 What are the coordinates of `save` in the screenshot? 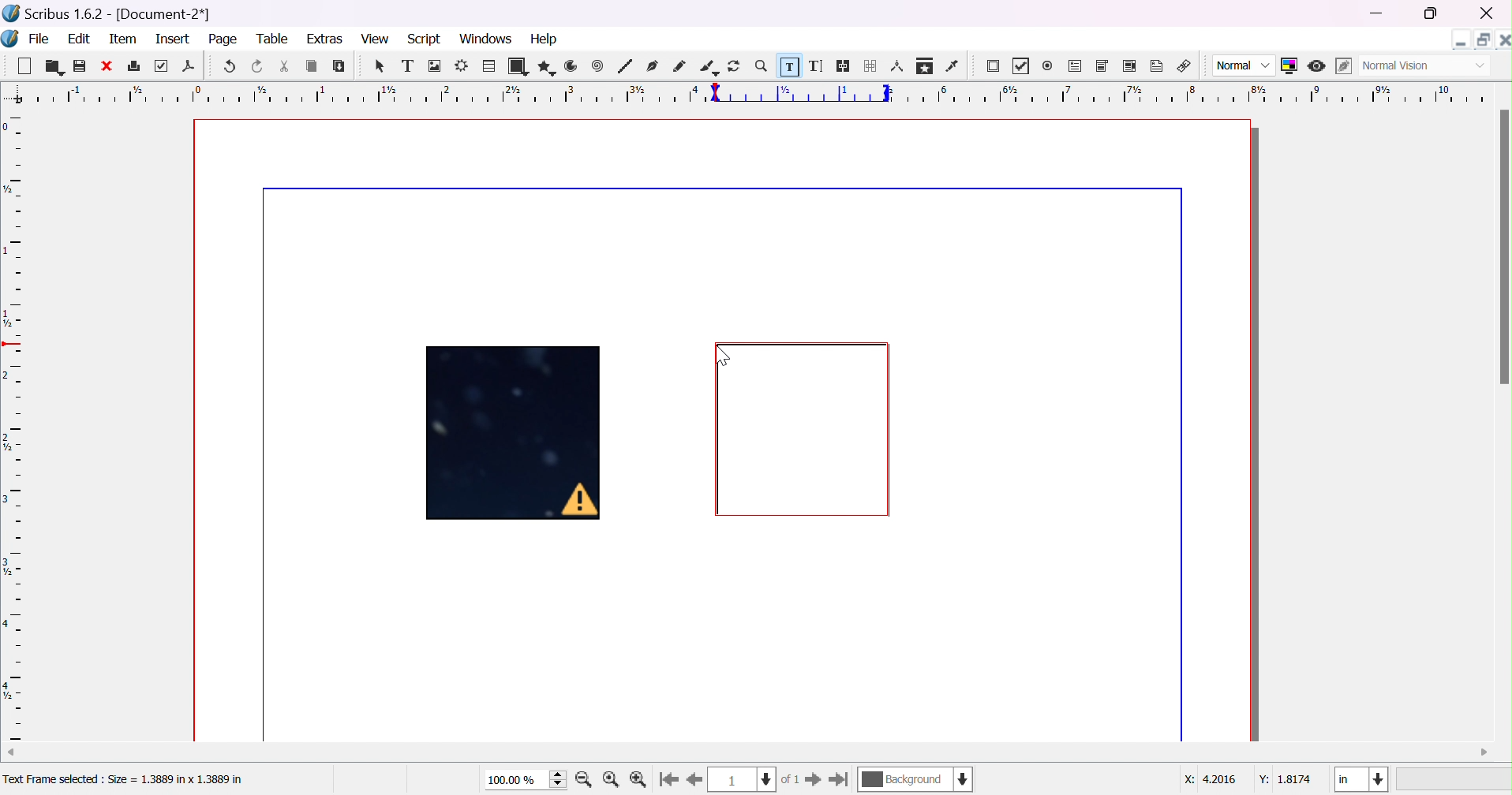 It's located at (80, 66).